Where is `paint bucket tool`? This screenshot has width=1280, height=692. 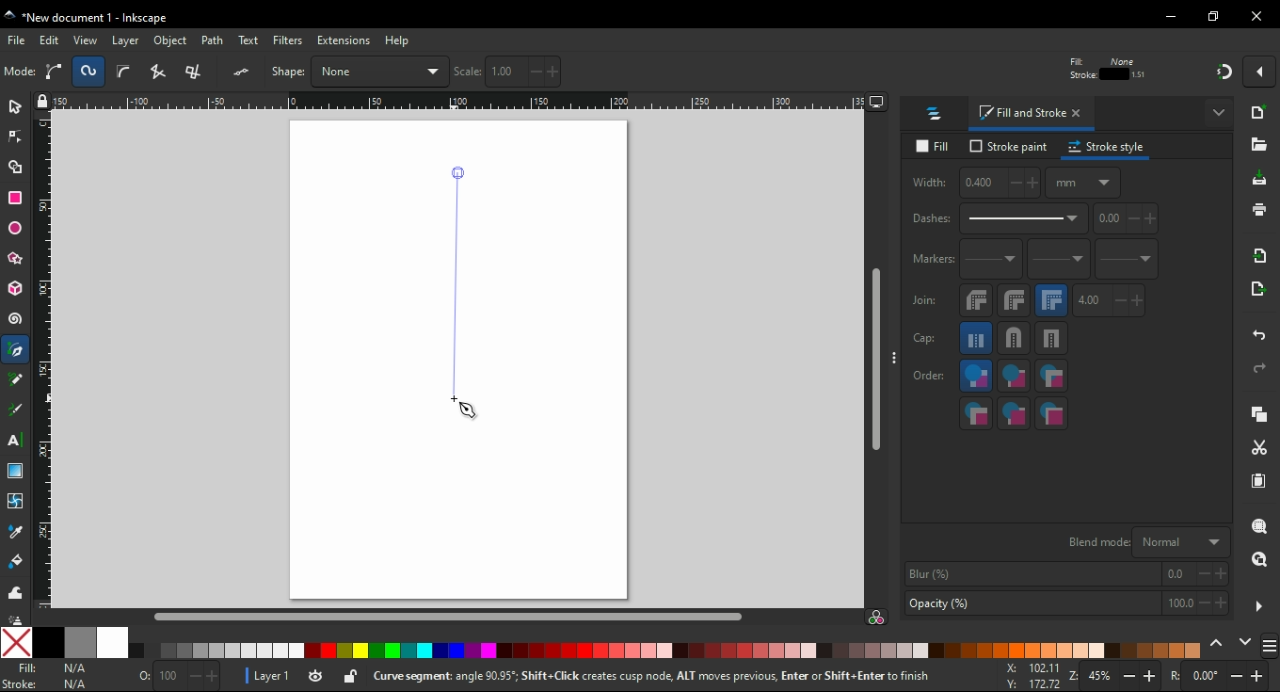 paint bucket tool is located at coordinates (19, 561).